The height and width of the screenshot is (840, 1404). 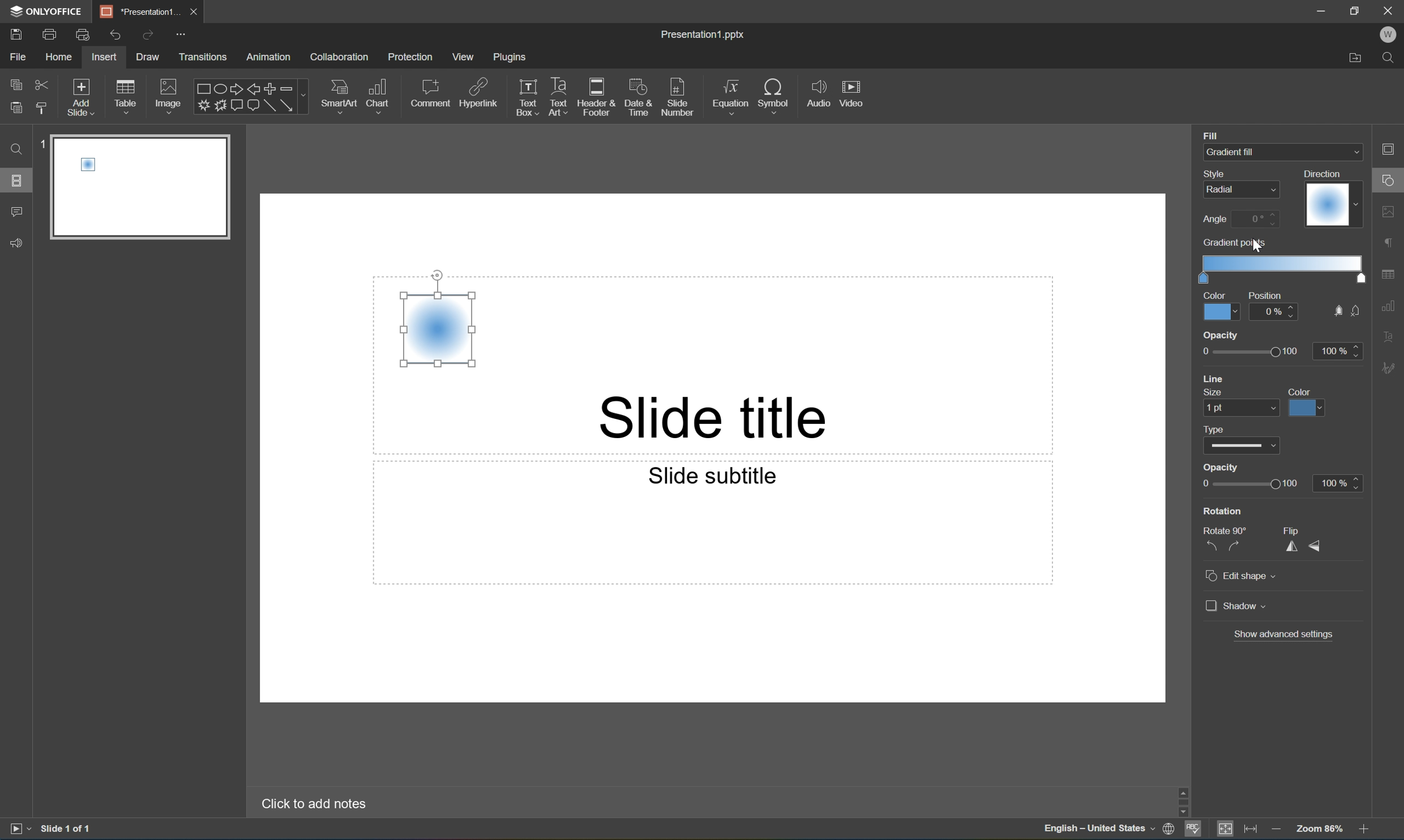 What do you see at coordinates (1222, 306) in the screenshot?
I see `color` at bounding box center [1222, 306].